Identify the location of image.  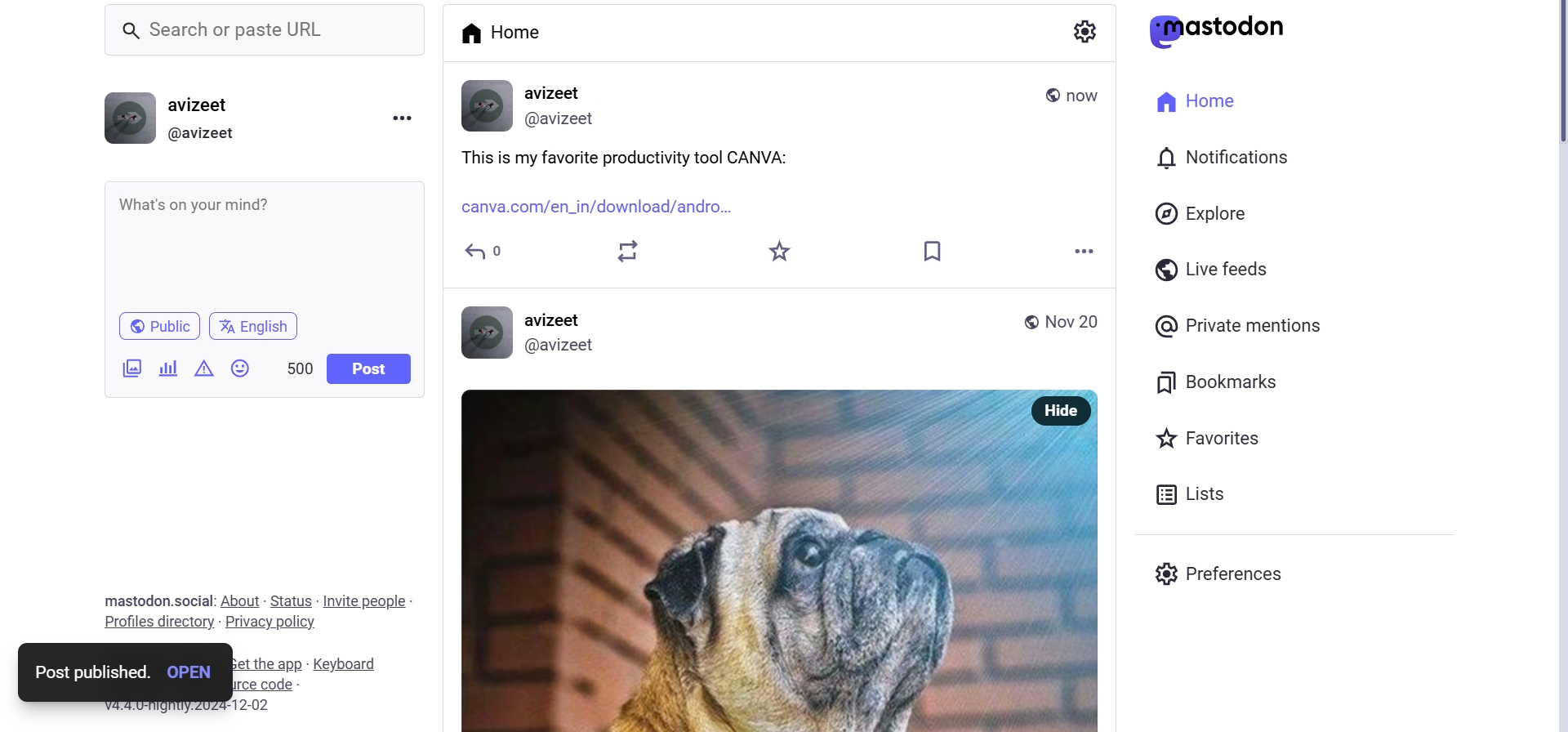
(737, 560).